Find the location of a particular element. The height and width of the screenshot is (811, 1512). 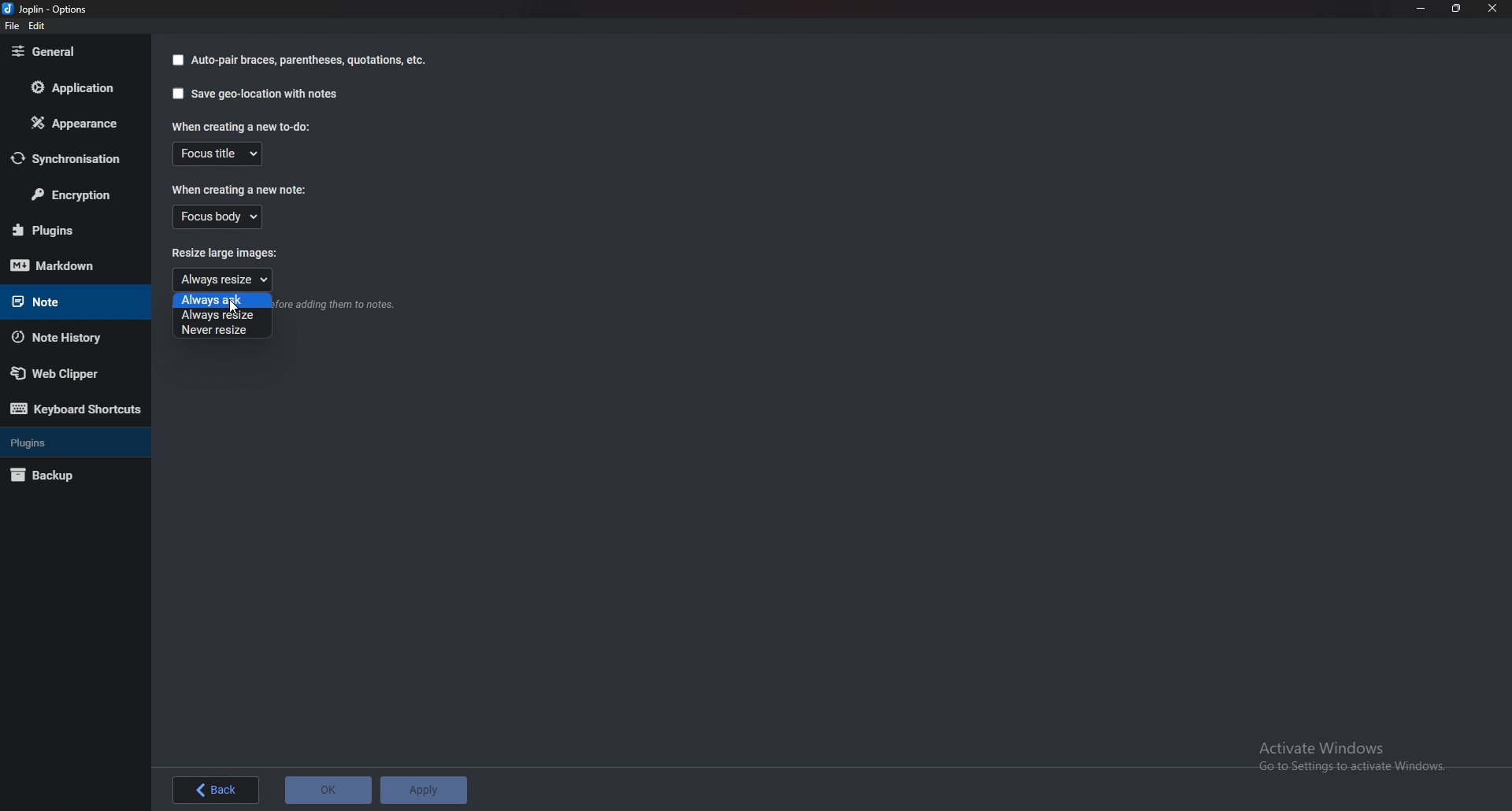

Minimize is located at coordinates (1420, 8).